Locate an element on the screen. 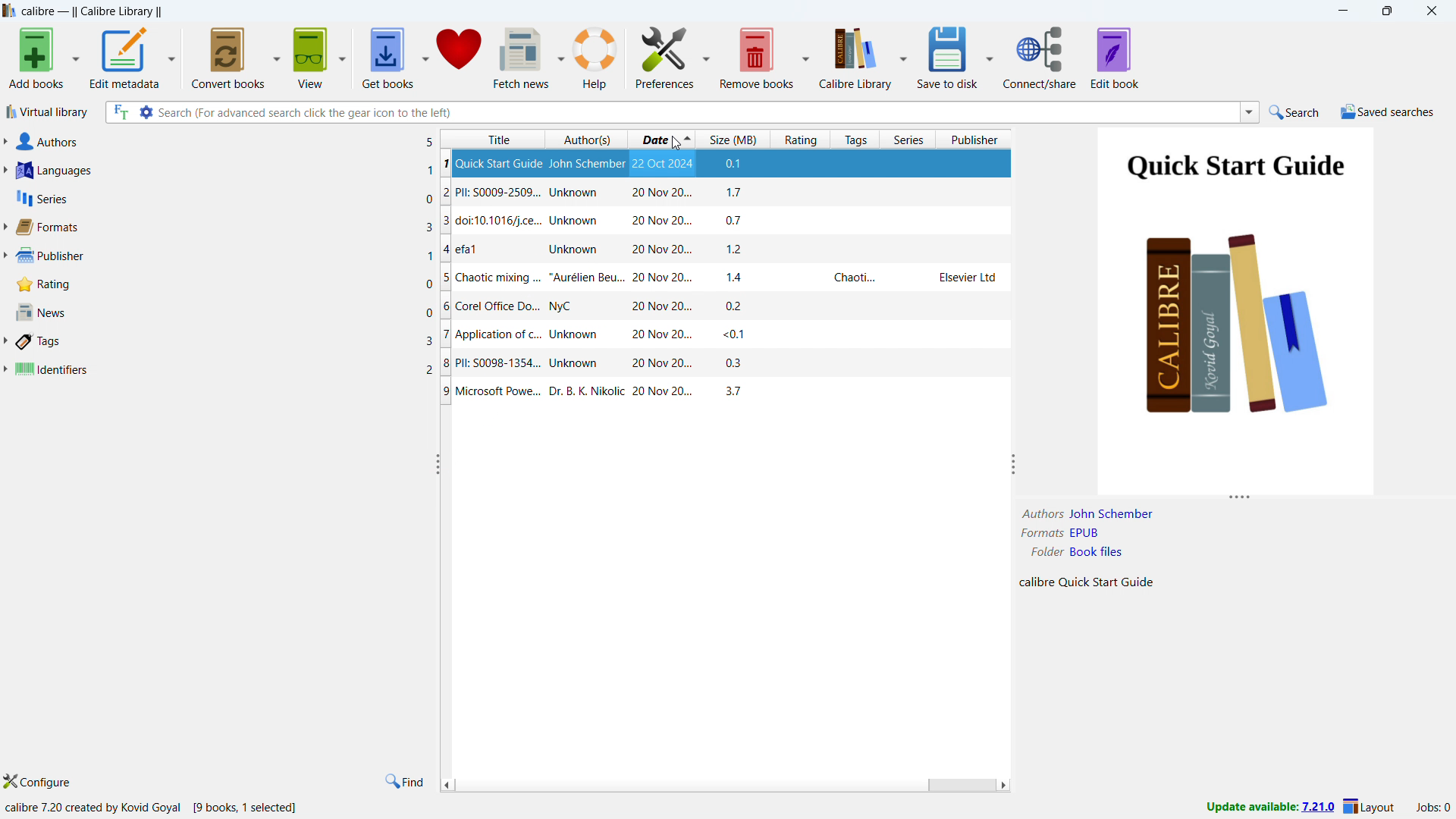 The width and height of the screenshot is (1456, 819). advanced serach is located at coordinates (146, 111).